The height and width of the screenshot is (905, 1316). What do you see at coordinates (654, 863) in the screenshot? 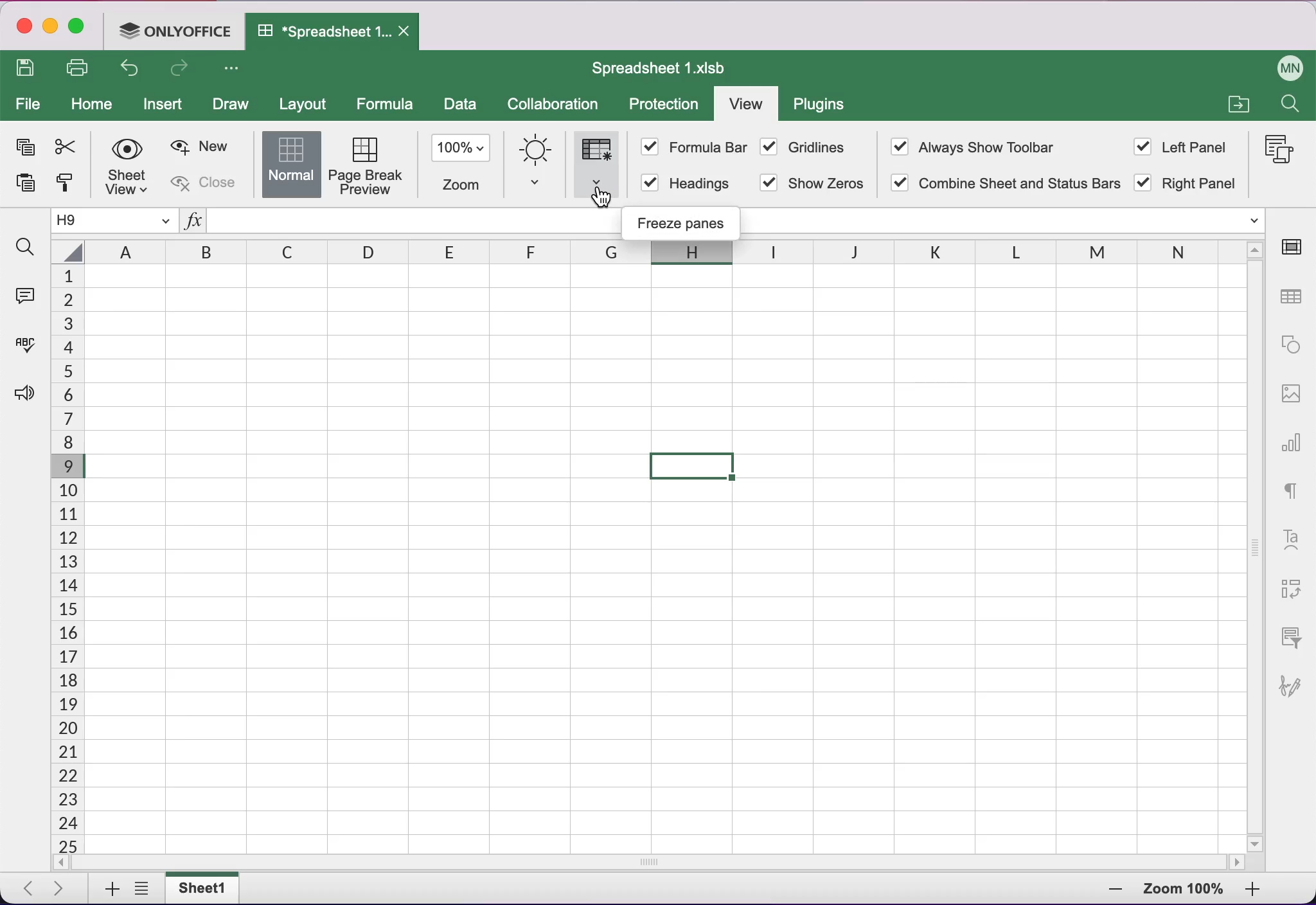
I see `horizontal slider` at bounding box center [654, 863].